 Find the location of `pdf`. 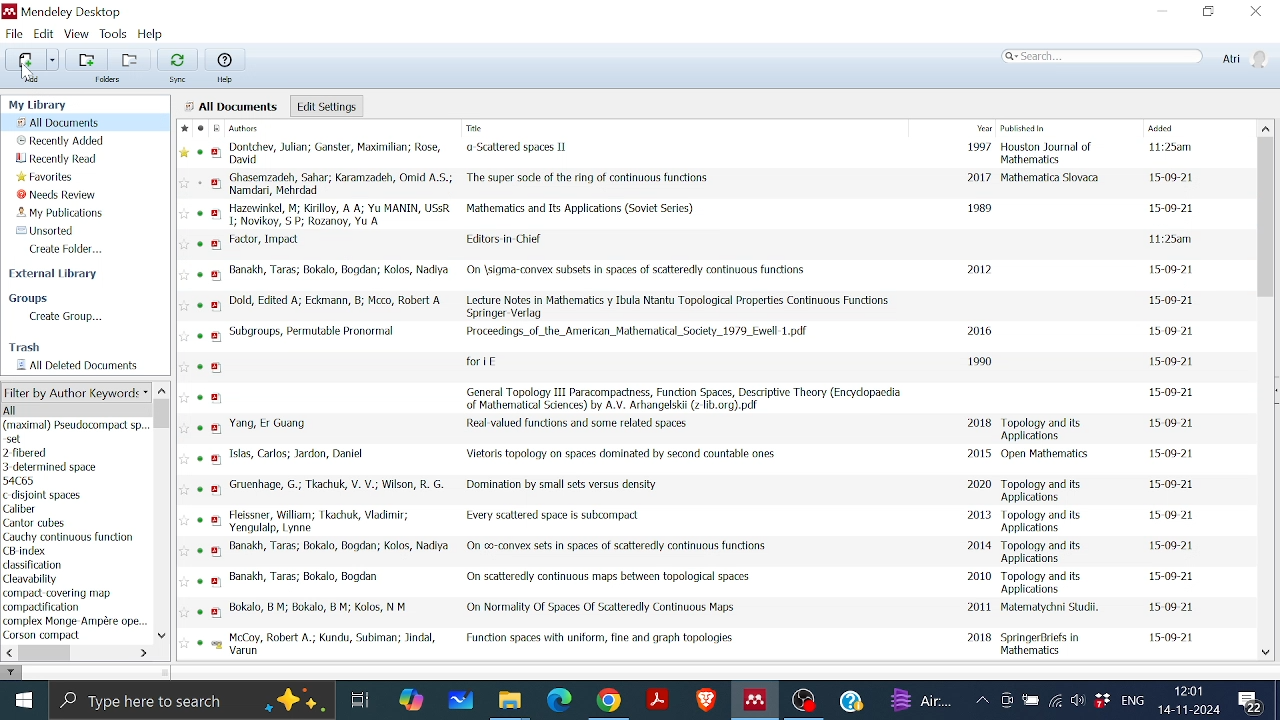

pdf is located at coordinates (216, 610).